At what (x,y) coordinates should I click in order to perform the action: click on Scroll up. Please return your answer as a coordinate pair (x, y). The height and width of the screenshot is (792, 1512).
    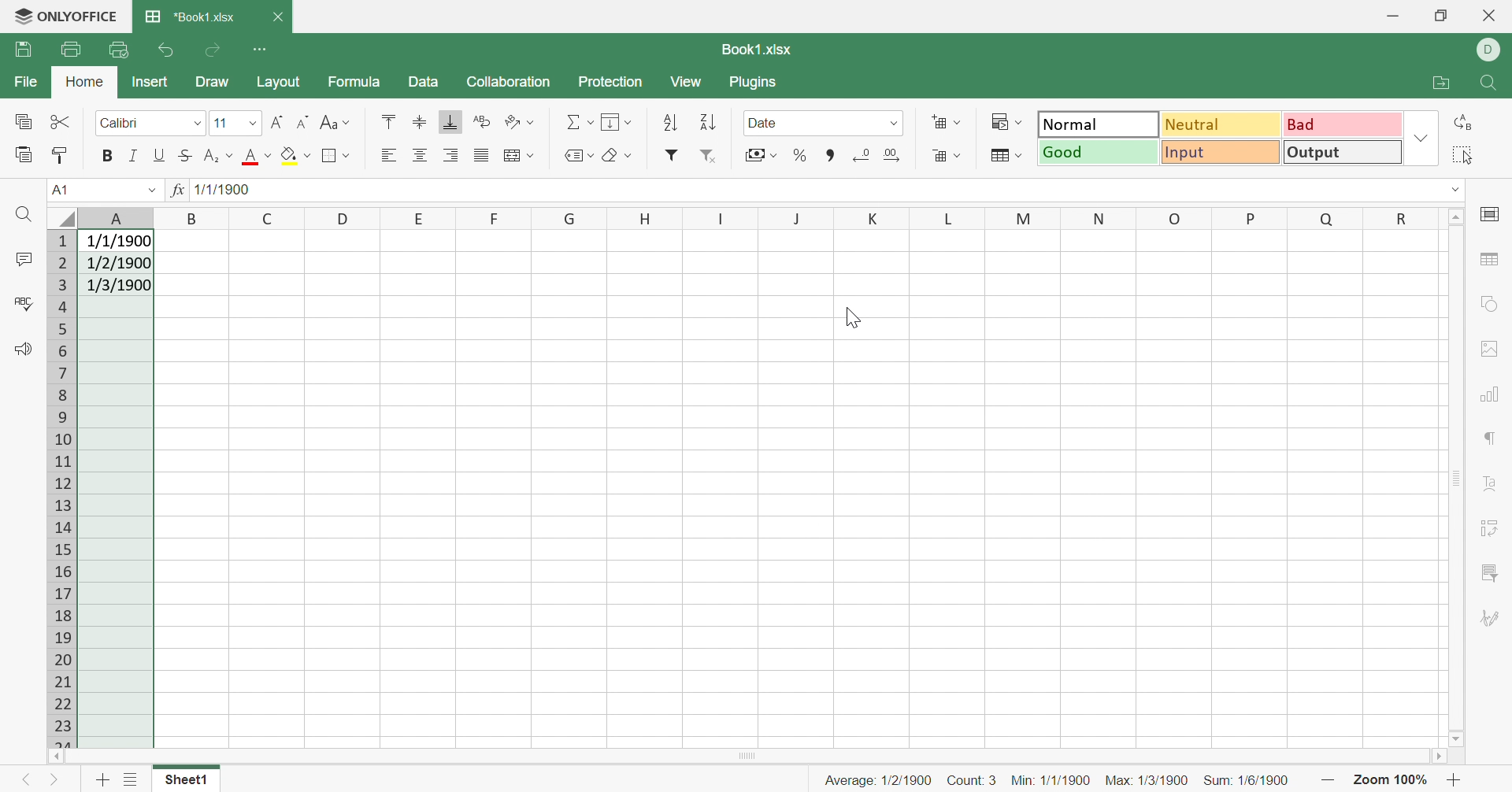
    Looking at the image, I should click on (1455, 217).